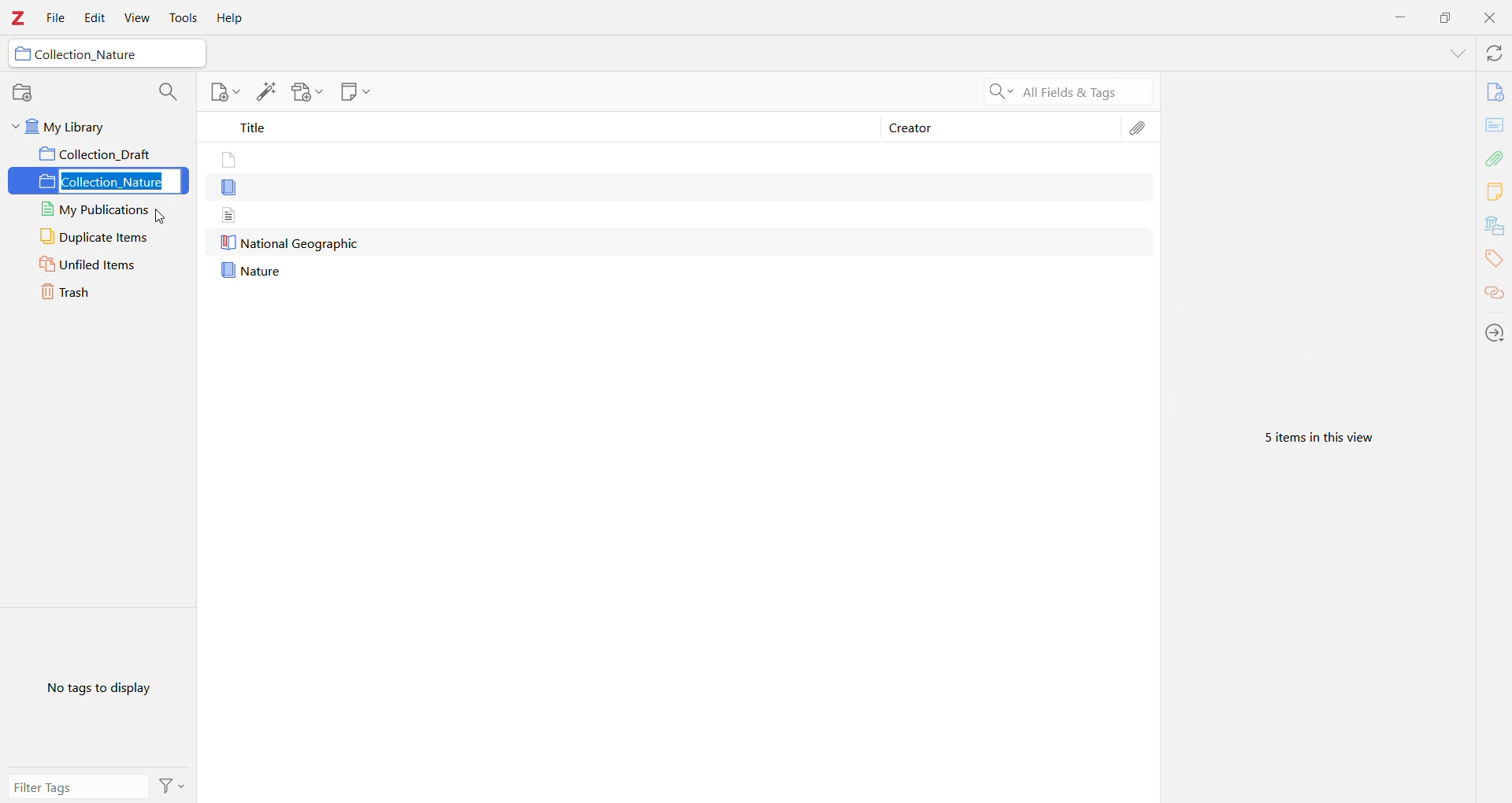 Image resolution: width=1512 pixels, height=803 pixels. What do you see at coordinates (172, 785) in the screenshot?
I see `Actions` at bounding box center [172, 785].